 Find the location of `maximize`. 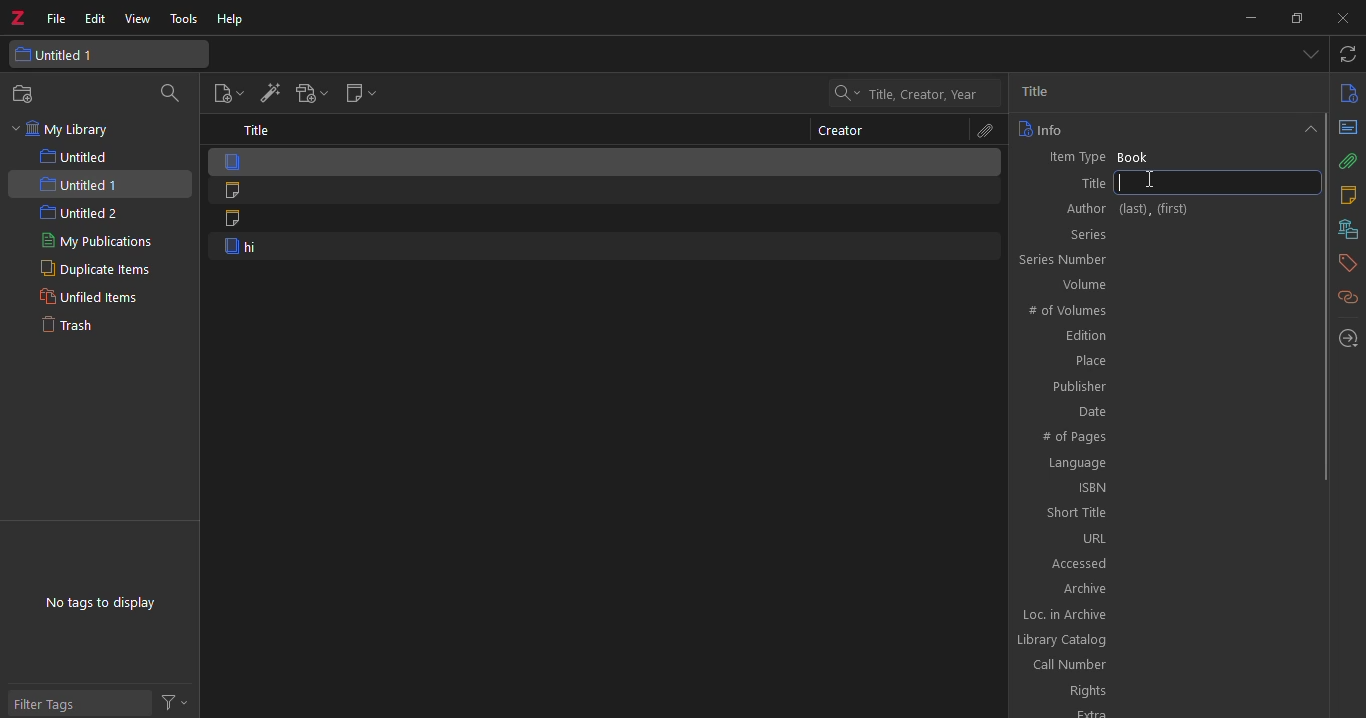

maximize is located at coordinates (1295, 19).